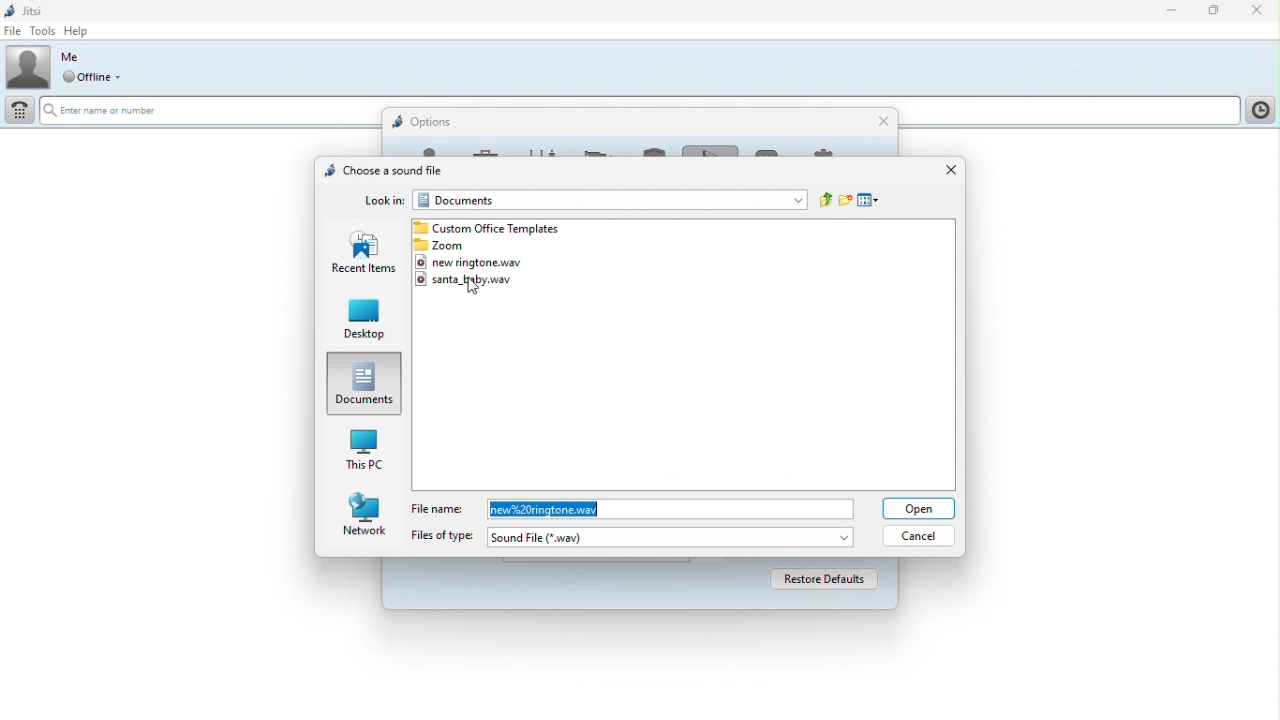 This screenshot has width=1280, height=720. I want to click on © new ringtone.wav, so click(475, 261).